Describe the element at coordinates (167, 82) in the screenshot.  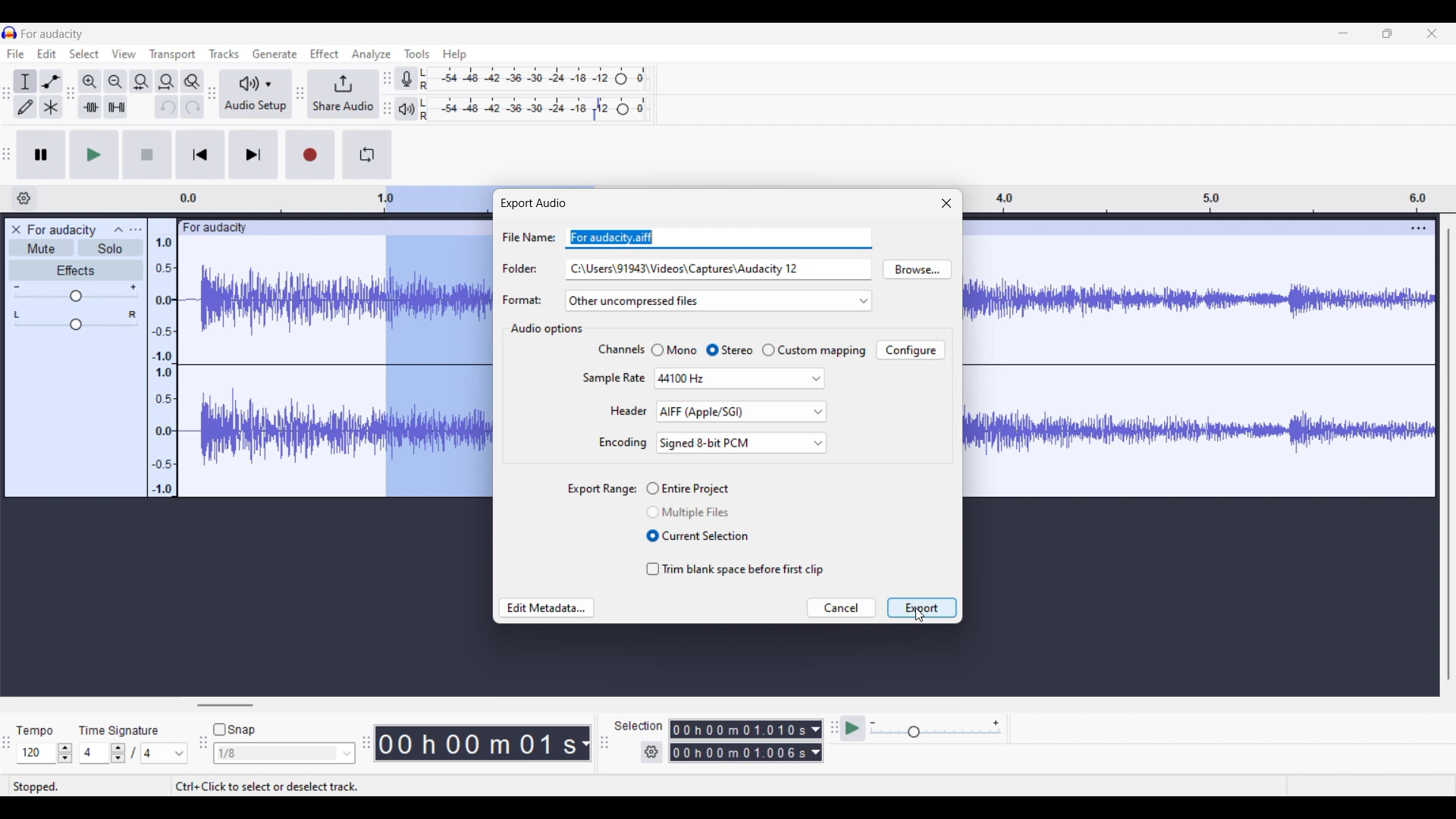
I see `Fit track to width` at that location.